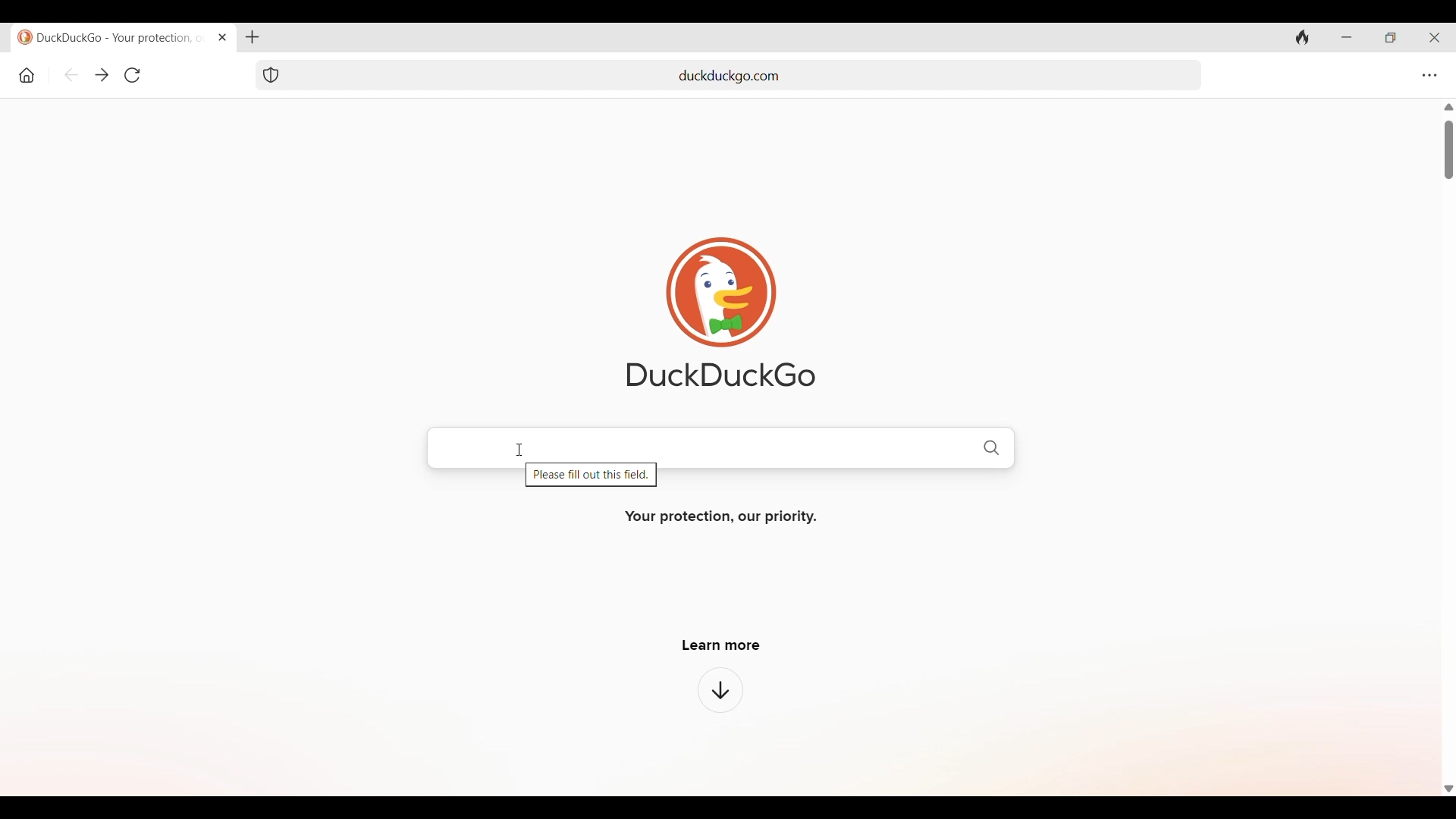 The height and width of the screenshot is (819, 1456). I want to click on Minimize, so click(1346, 37).